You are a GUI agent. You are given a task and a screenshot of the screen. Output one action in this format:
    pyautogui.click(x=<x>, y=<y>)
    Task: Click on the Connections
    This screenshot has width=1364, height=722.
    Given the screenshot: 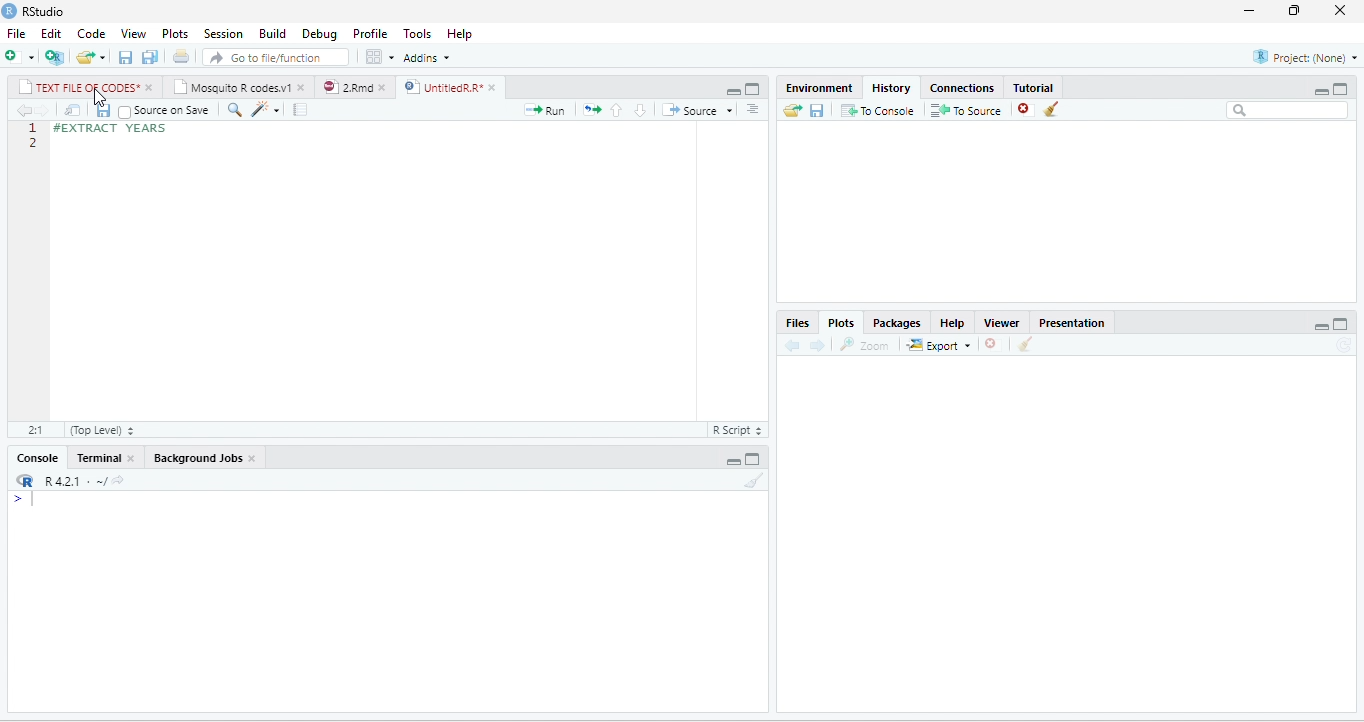 What is the action you would take?
    pyautogui.click(x=963, y=89)
    